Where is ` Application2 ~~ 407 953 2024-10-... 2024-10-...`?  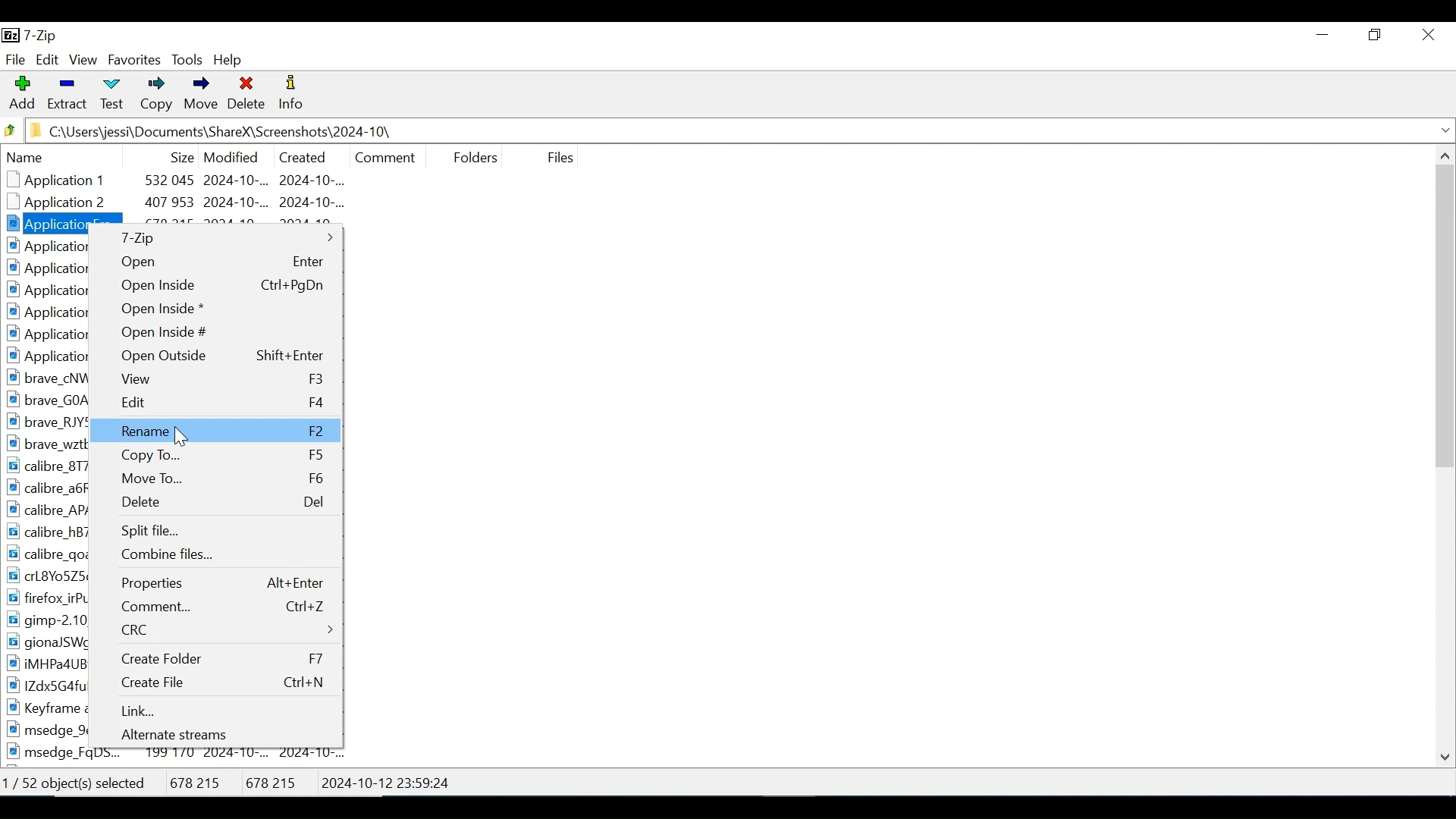
 Application2 ~~ 407 953 2024-10-... 2024-10-... is located at coordinates (189, 204).